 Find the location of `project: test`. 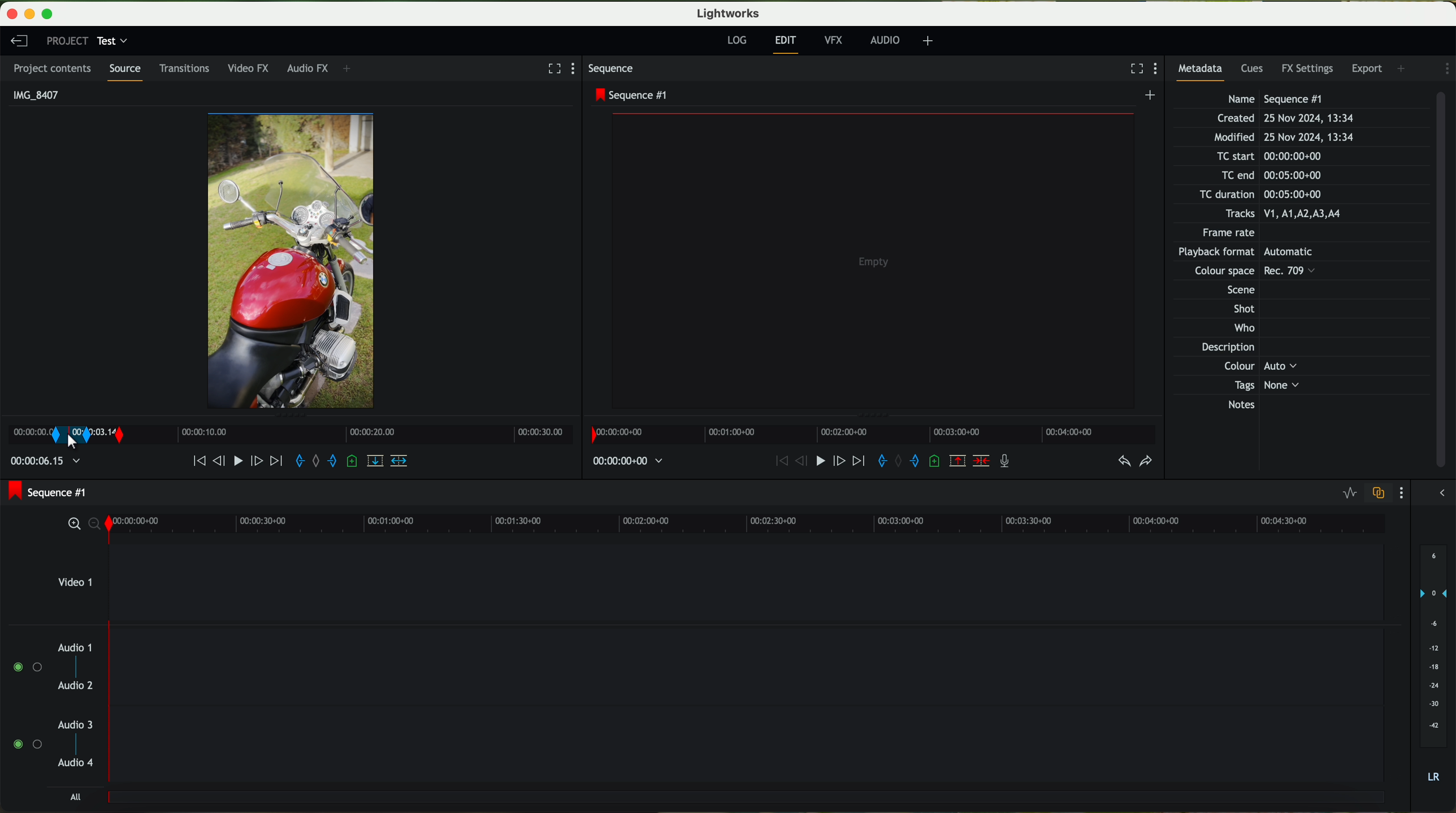

project: test is located at coordinates (86, 41).